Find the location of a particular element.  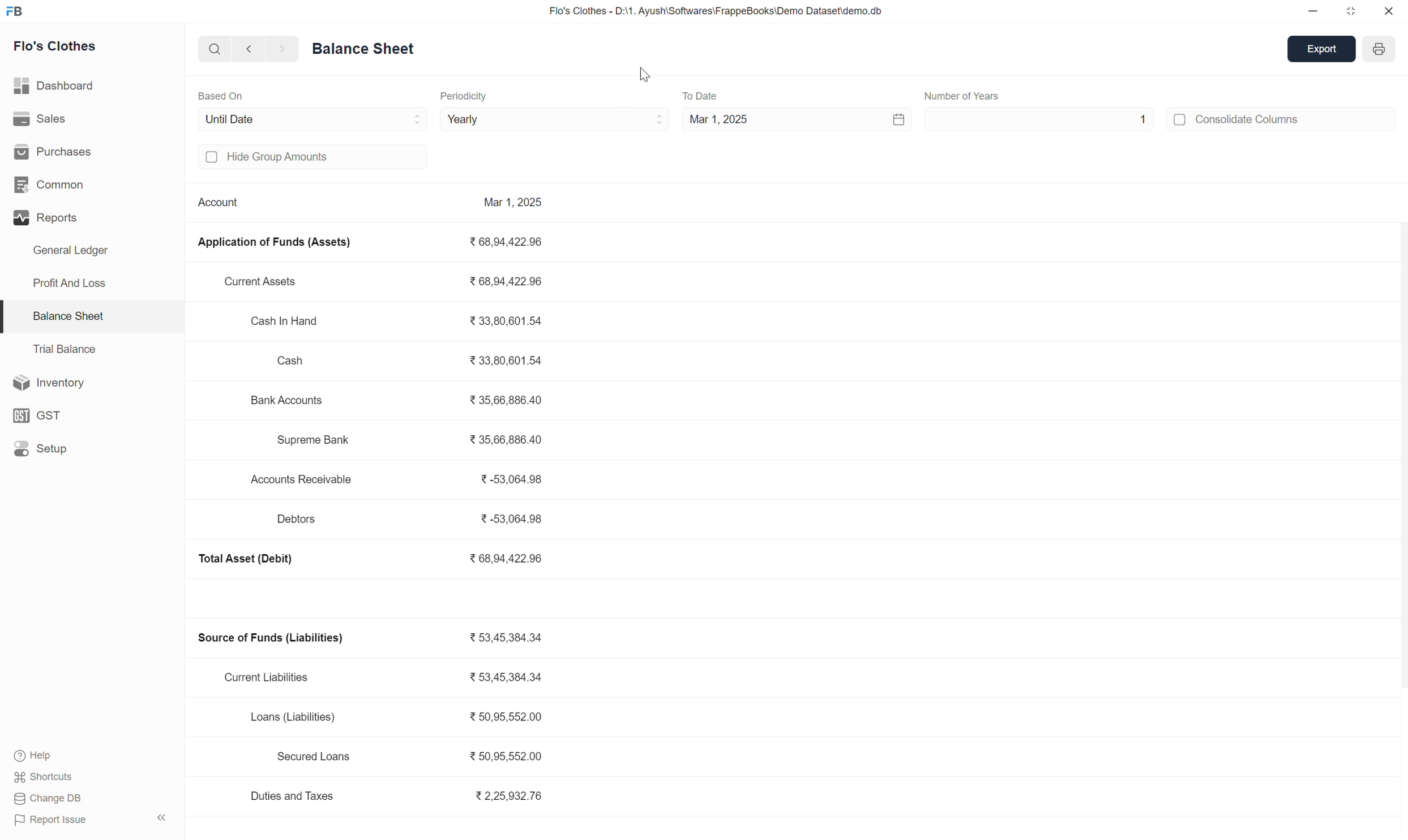

68,94,422.96 is located at coordinates (508, 243).